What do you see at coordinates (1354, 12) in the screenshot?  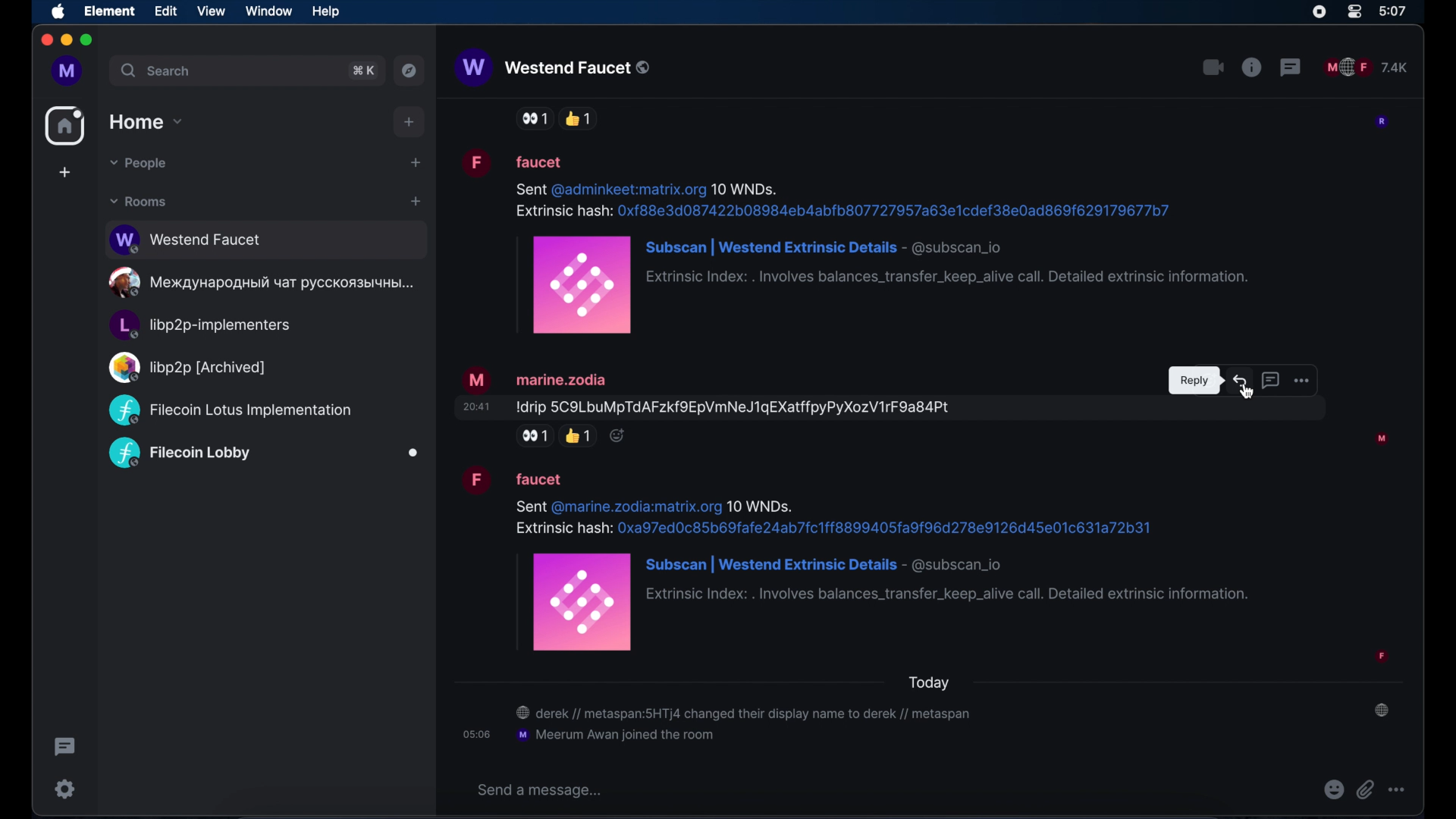 I see `control center` at bounding box center [1354, 12].